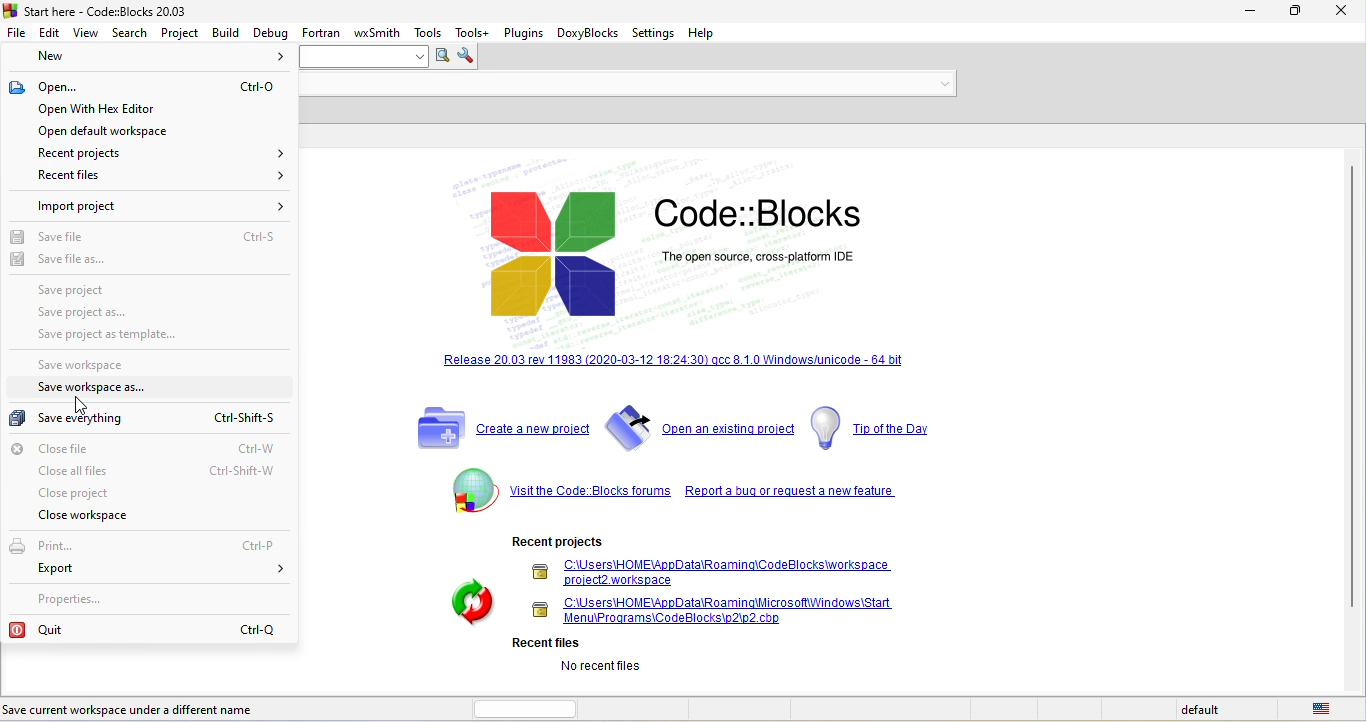 This screenshot has height=722, width=1366. Describe the element at coordinates (1298, 13) in the screenshot. I see `maximize` at that location.